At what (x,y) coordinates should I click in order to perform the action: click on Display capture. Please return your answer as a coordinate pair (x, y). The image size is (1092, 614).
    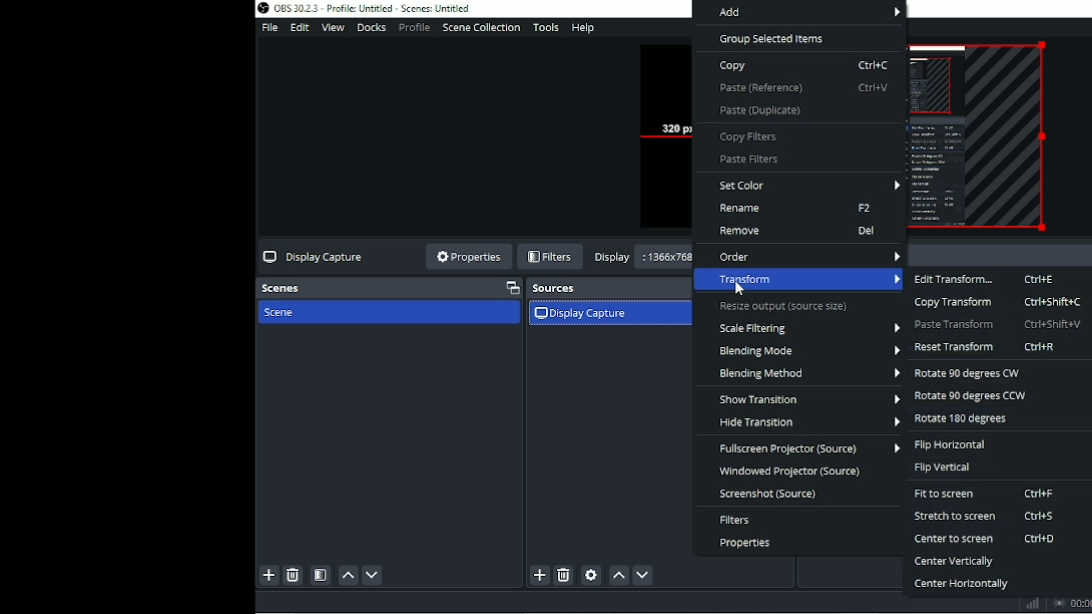
    Looking at the image, I should click on (314, 257).